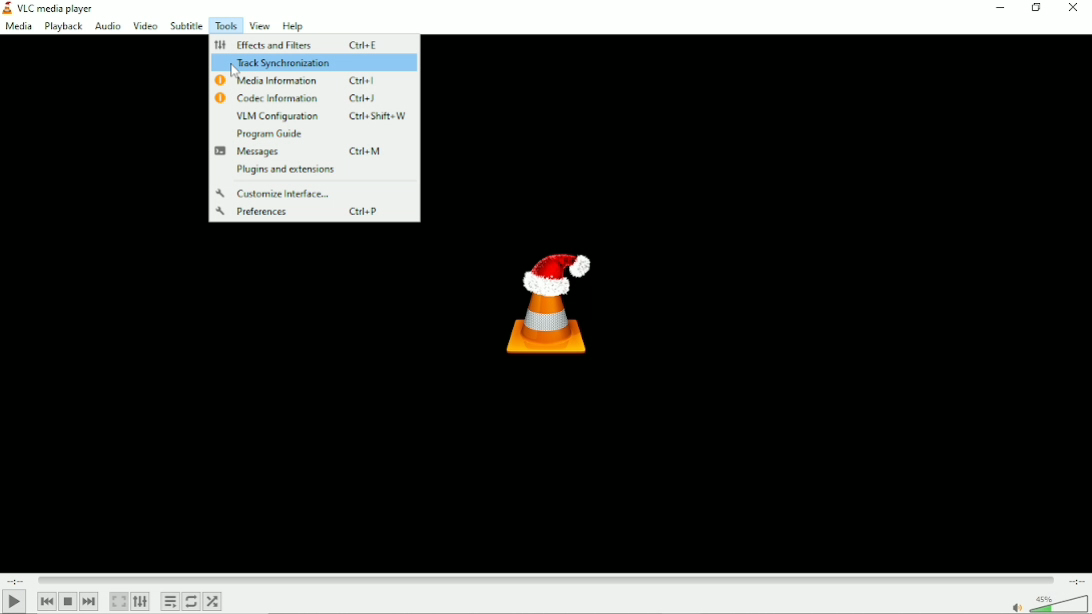 This screenshot has width=1092, height=614. Describe the element at coordinates (312, 81) in the screenshot. I see `Media information` at that location.